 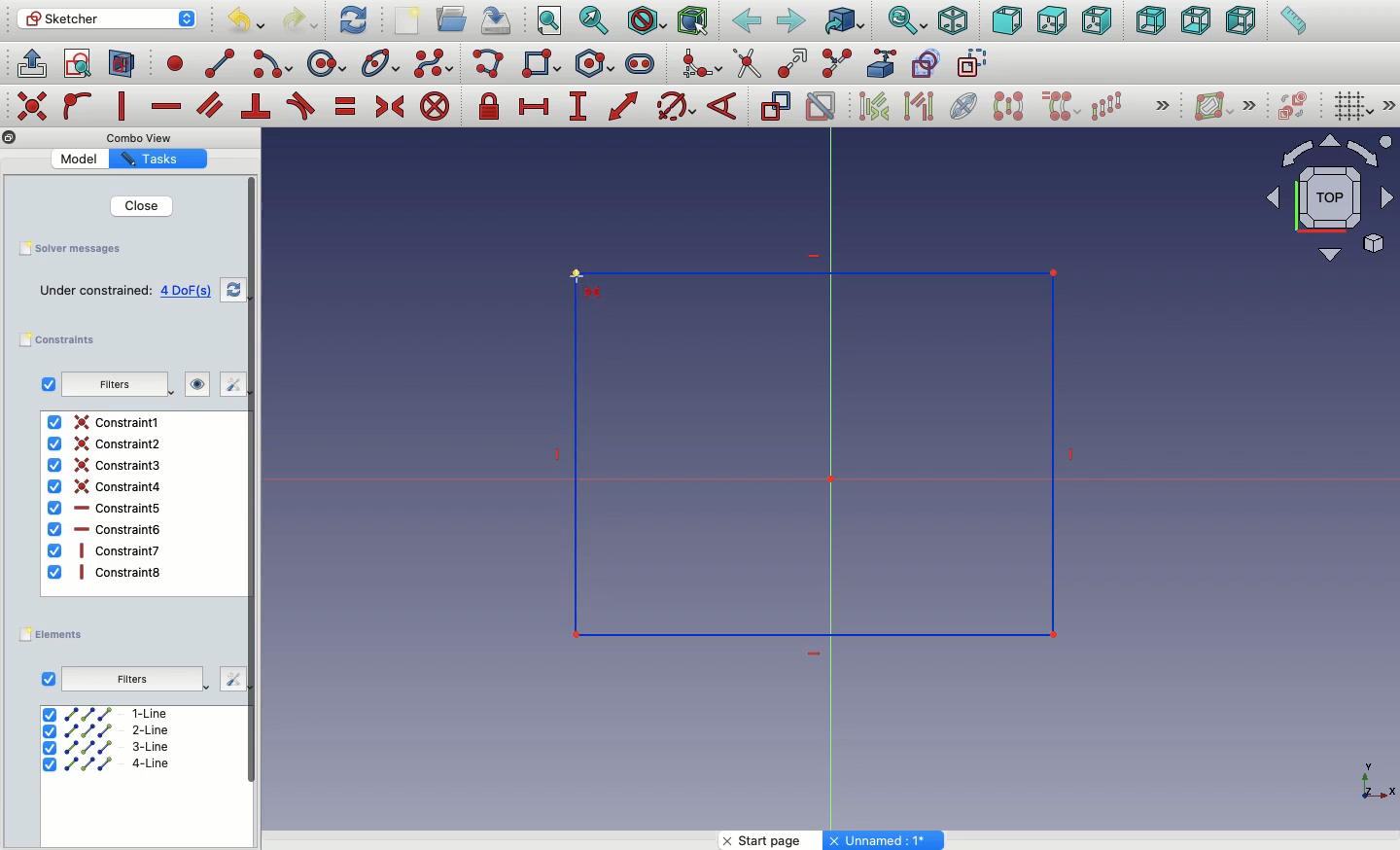 What do you see at coordinates (692, 21) in the screenshot?
I see `Bounding Box` at bounding box center [692, 21].